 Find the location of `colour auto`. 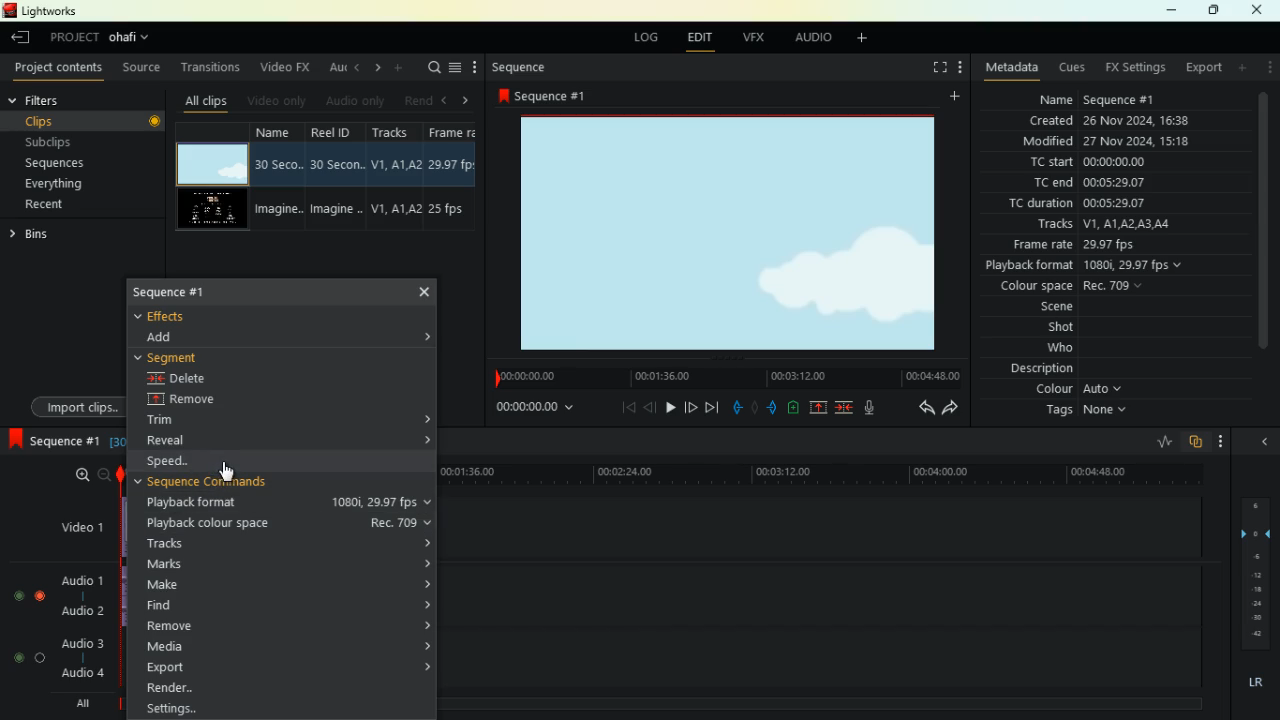

colour auto is located at coordinates (1082, 389).